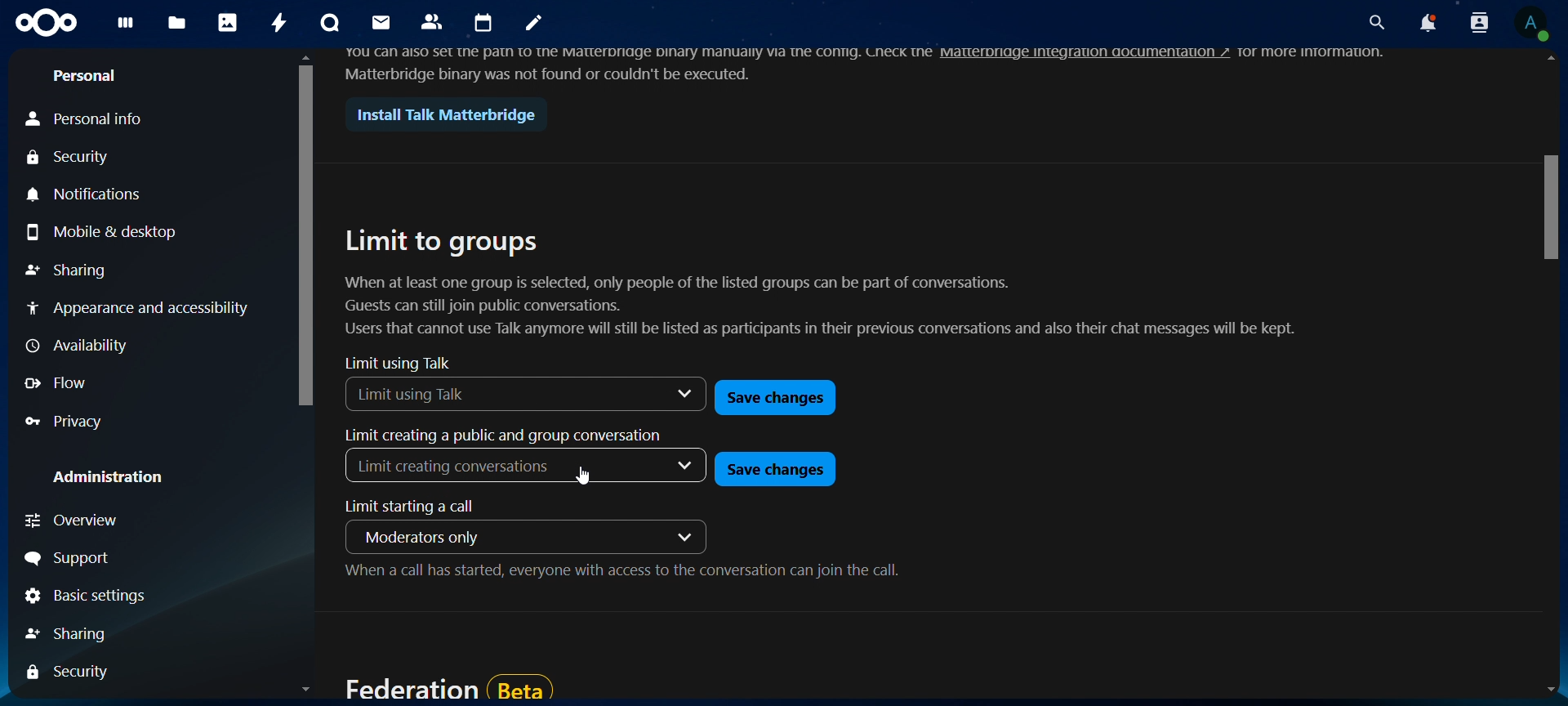 This screenshot has height=706, width=1568. Describe the element at coordinates (328, 23) in the screenshot. I see `talk` at that location.